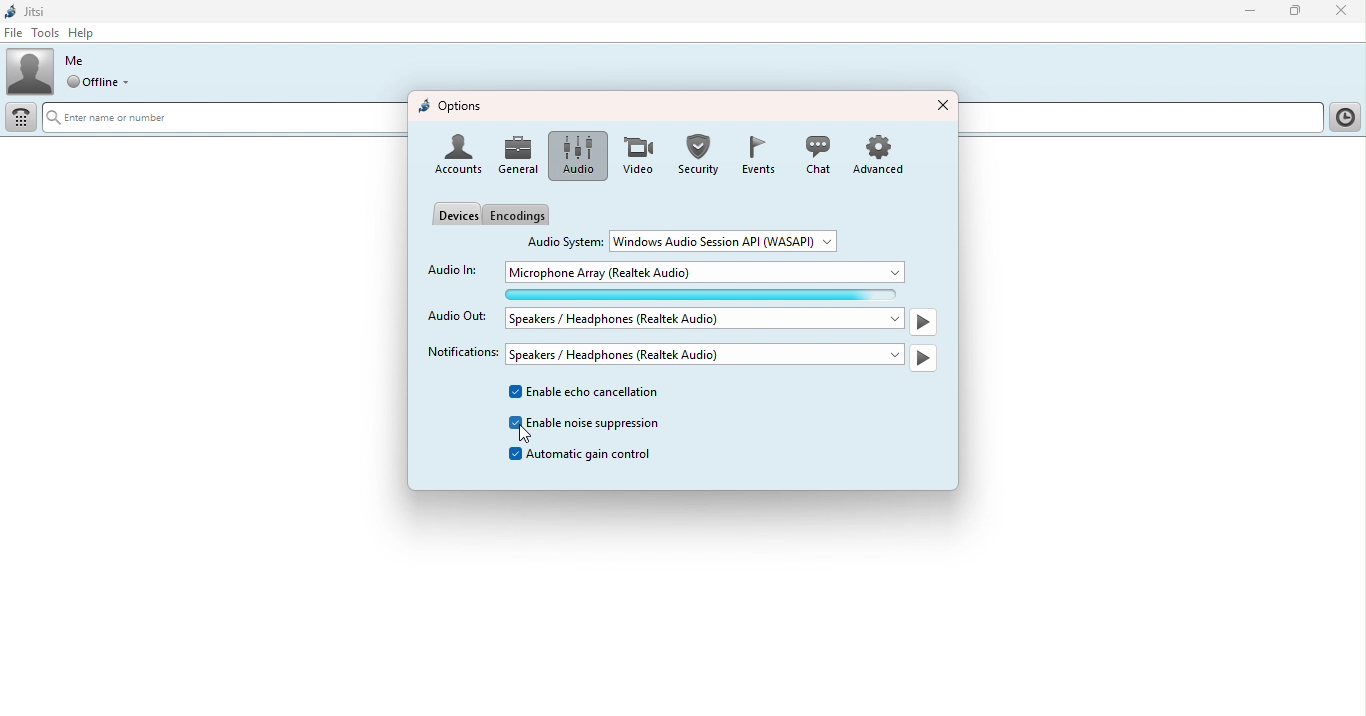 Image resolution: width=1366 pixels, height=716 pixels. Describe the element at coordinates (75, 61) in the screenshot. I see `Me` at that location.